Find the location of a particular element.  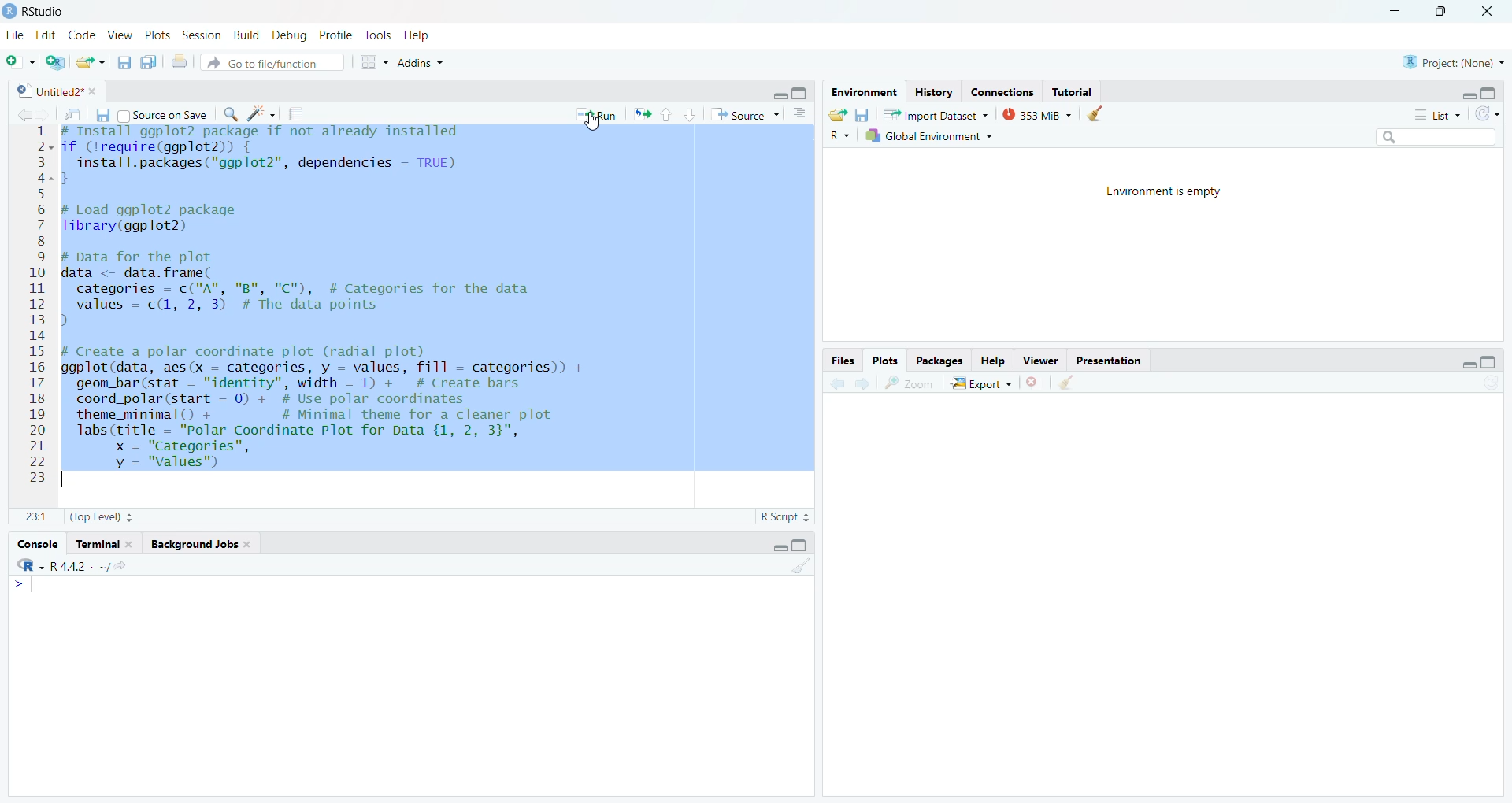

go back to the previous source location is located at coordinates (26, 115).